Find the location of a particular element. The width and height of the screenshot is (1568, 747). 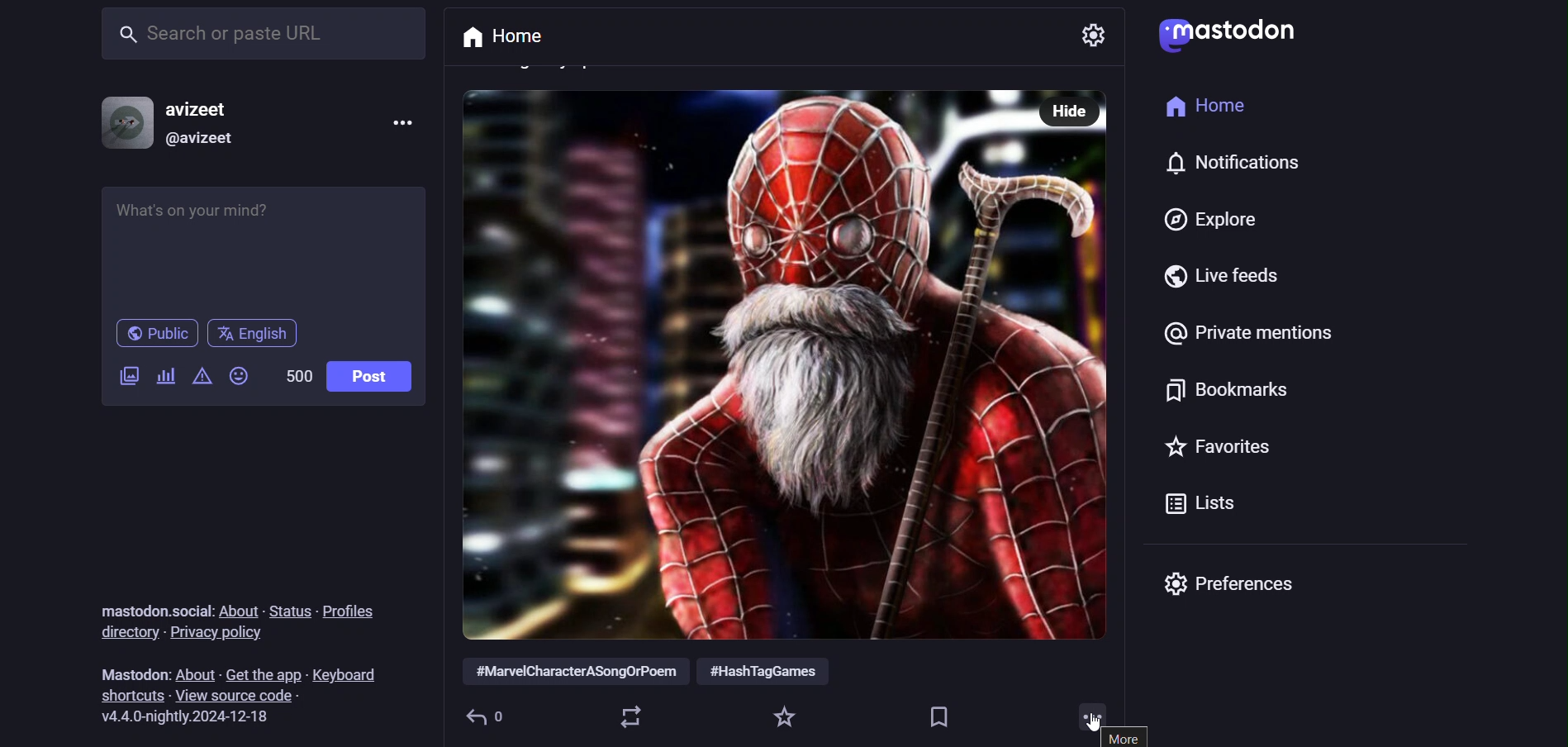

public is located at coordinates (158, 334).